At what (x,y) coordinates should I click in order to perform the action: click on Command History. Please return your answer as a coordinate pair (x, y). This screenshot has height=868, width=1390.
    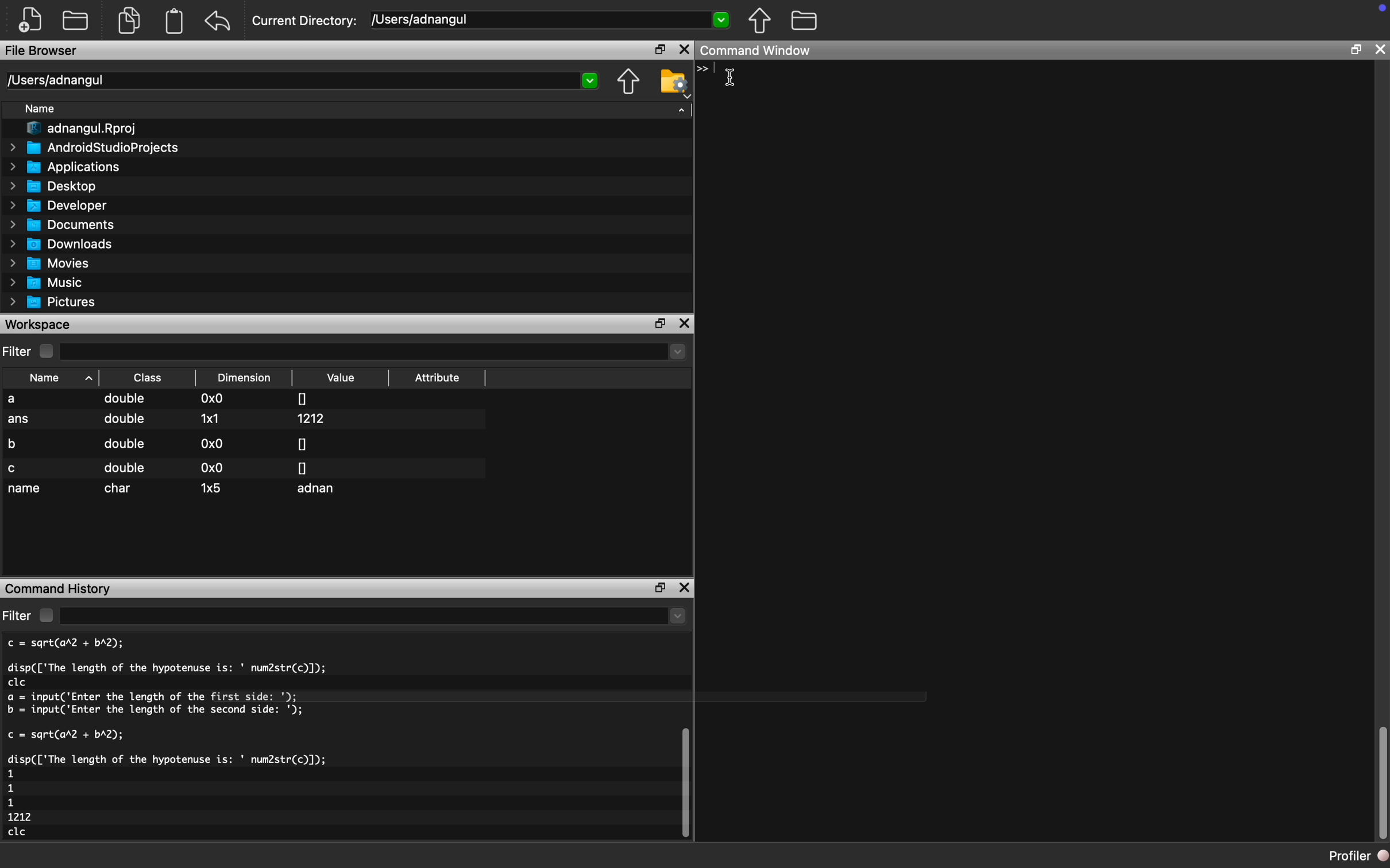
    Looking at the image, I should click on (60, 587).